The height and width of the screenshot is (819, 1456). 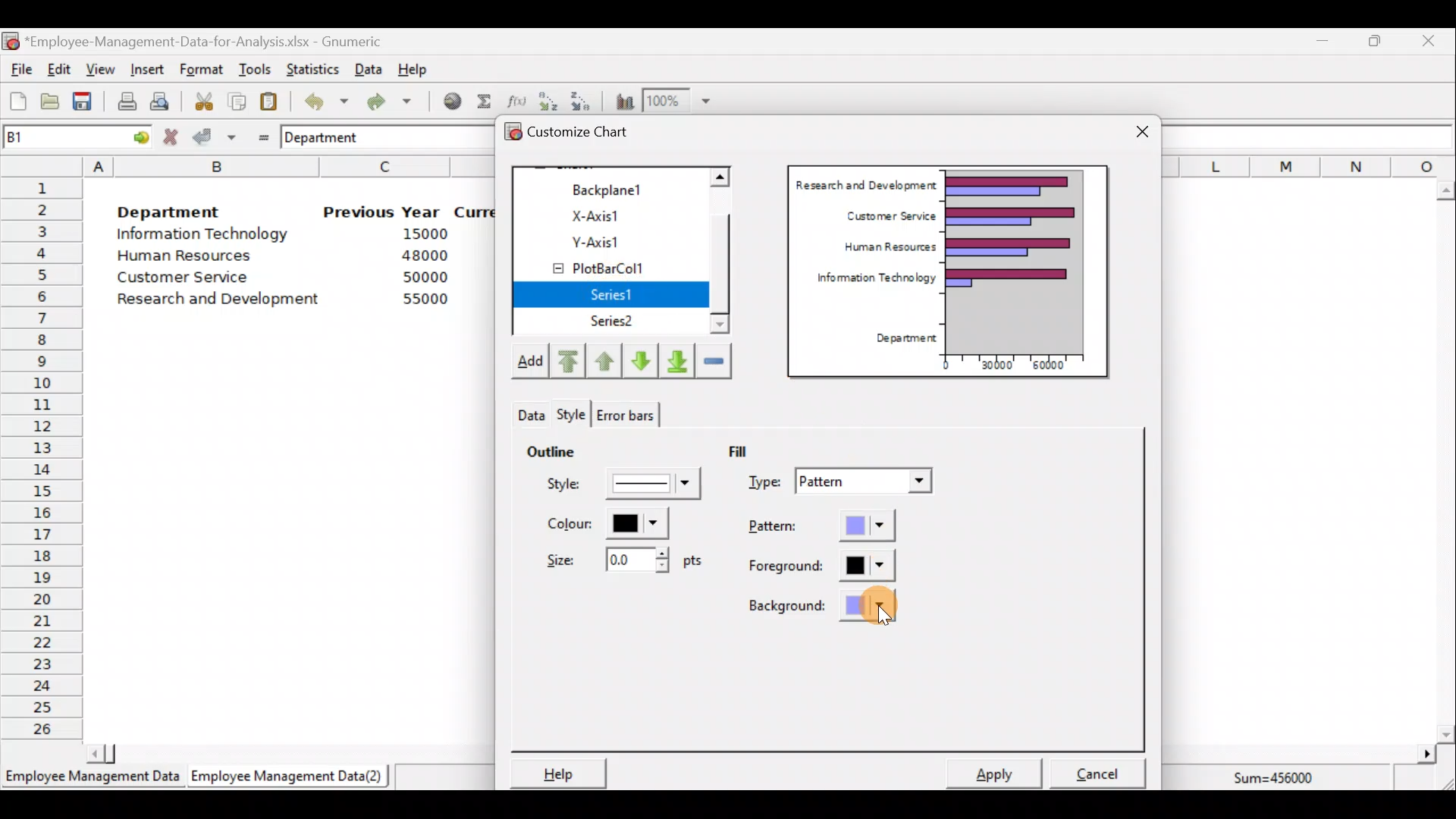 I want to click on Move downward, so click(x=678, y=359).